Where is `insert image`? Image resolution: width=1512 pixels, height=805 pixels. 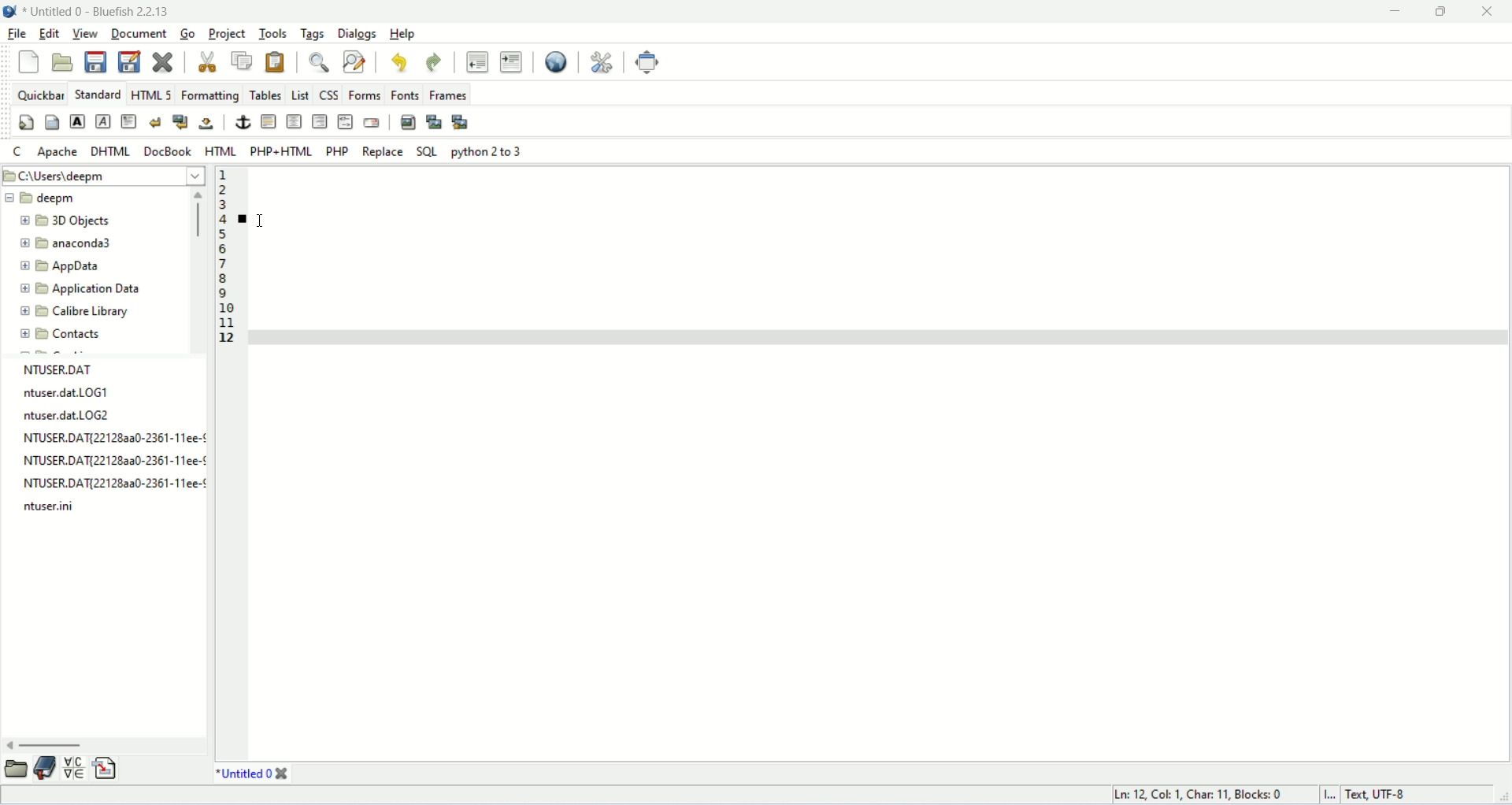 insert image is located at coordinates (409, 123).